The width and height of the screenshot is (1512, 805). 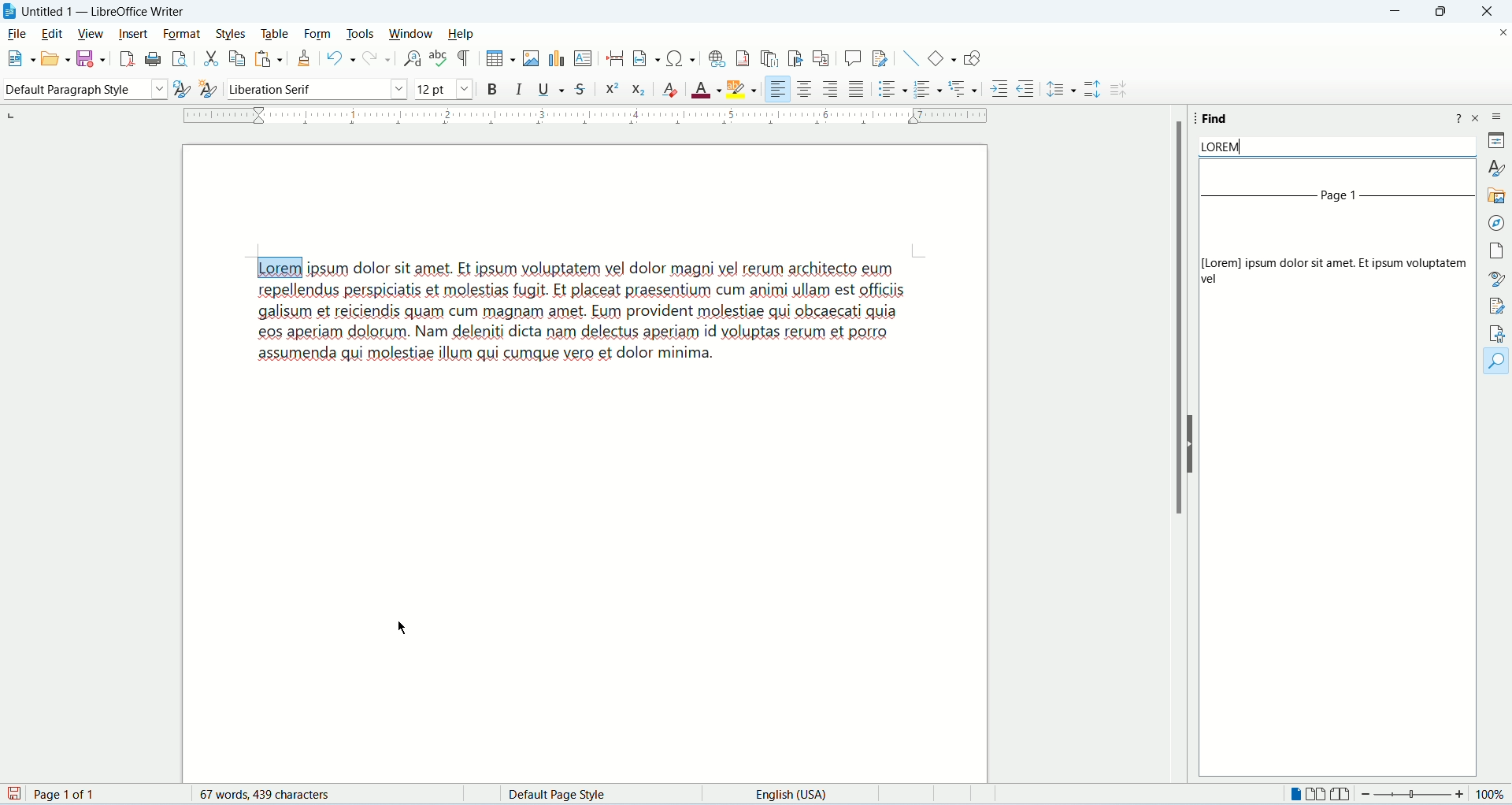 What do you see at coordinates (1499, 279) in the screenshot?
I see `style inspector` at bounding box center [1499, 279].